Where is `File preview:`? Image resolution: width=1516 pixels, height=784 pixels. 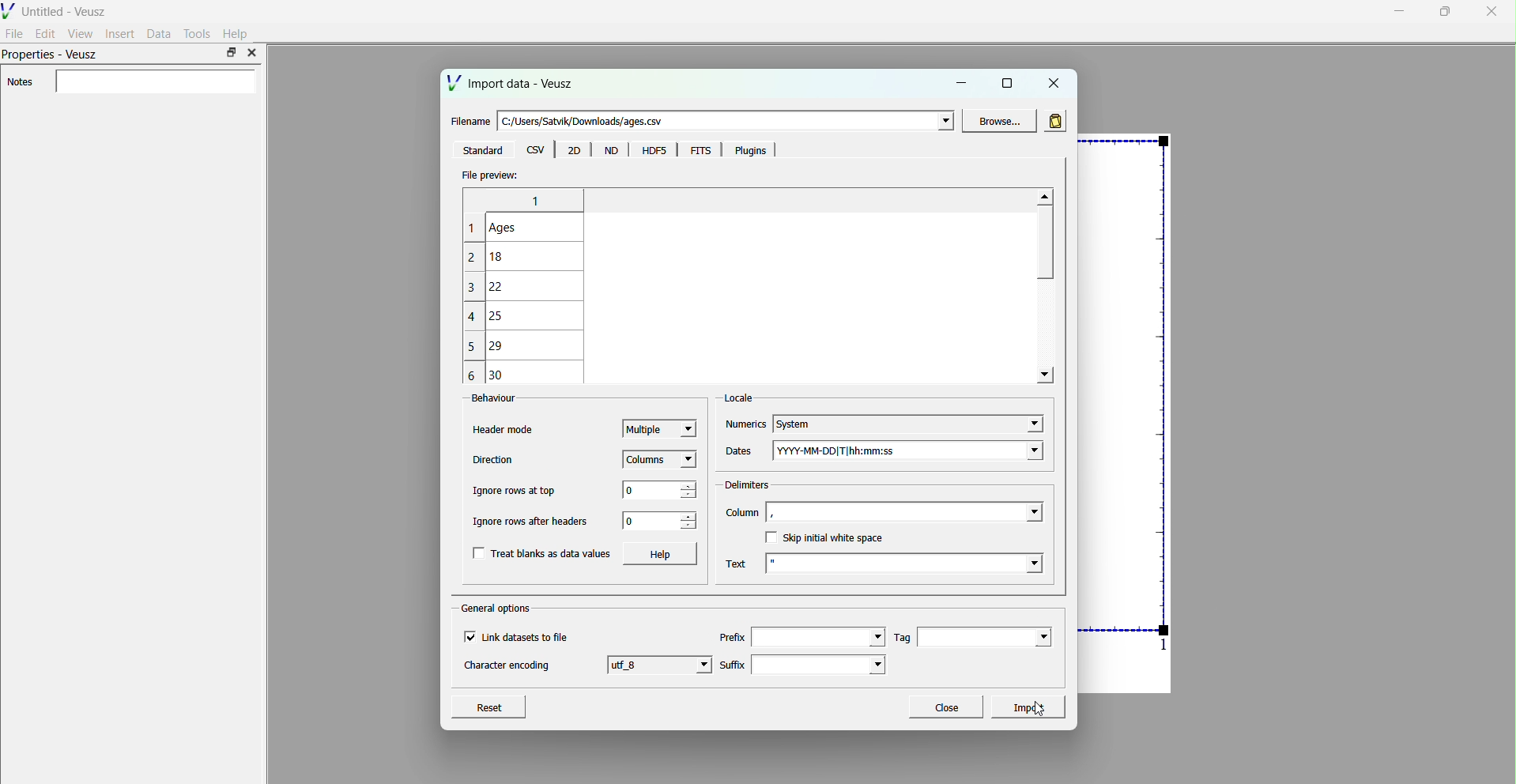
File preview: is located at coordinates (489, 175).